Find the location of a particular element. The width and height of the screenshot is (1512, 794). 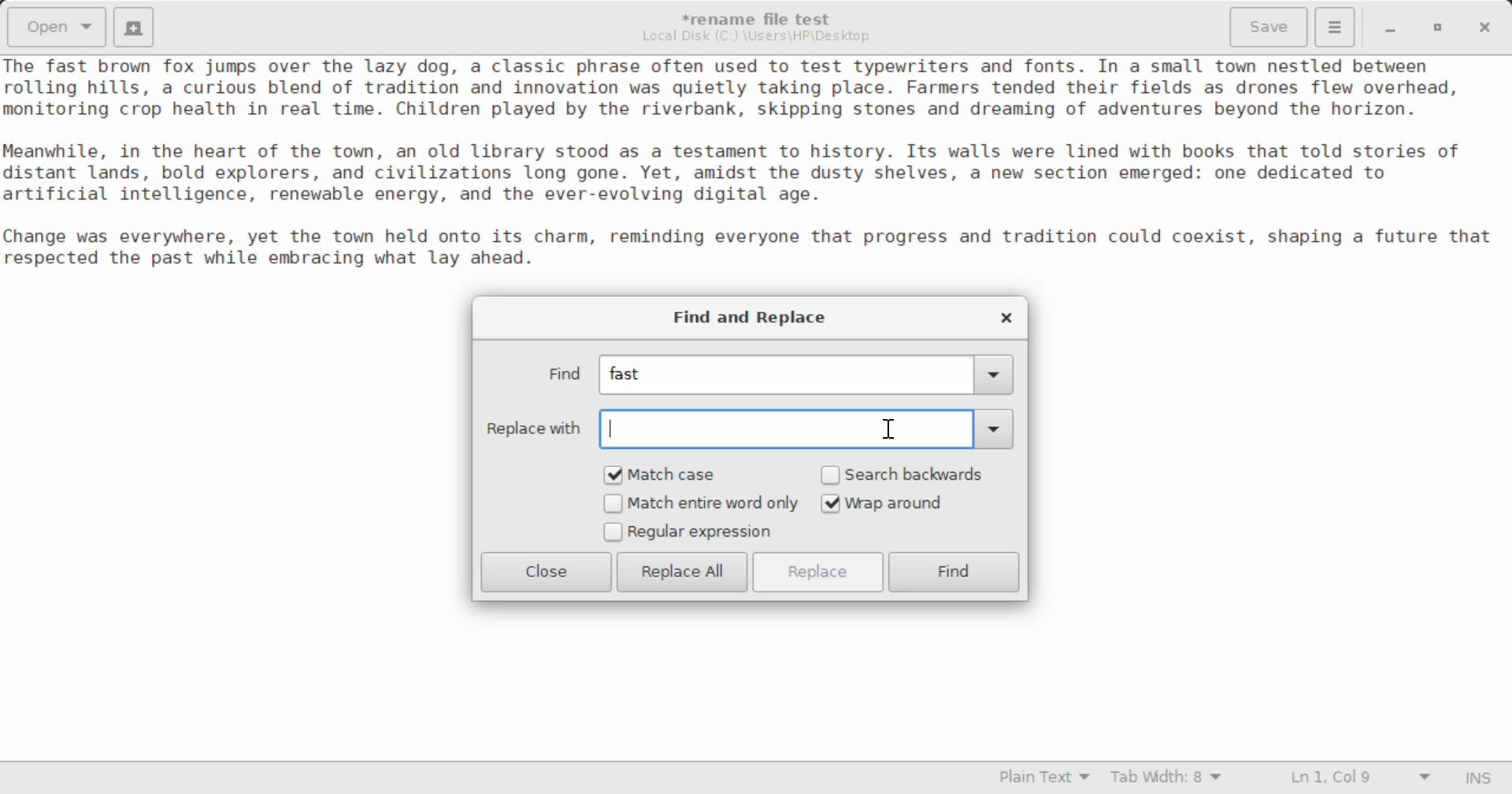

Input Mode is located at coordinates (1482, 776).